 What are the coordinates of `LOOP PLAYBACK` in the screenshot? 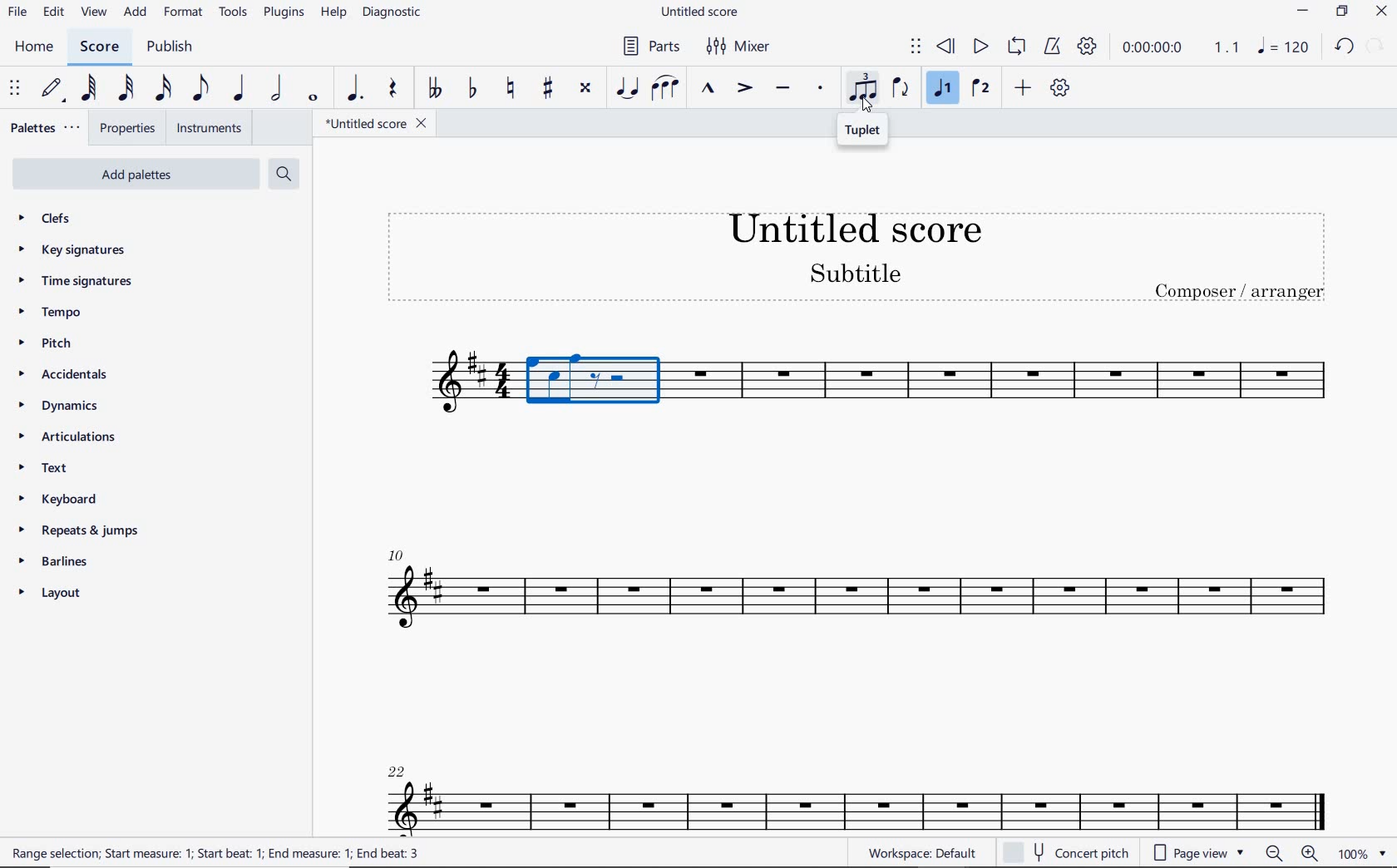 It's located at (1019, 47).